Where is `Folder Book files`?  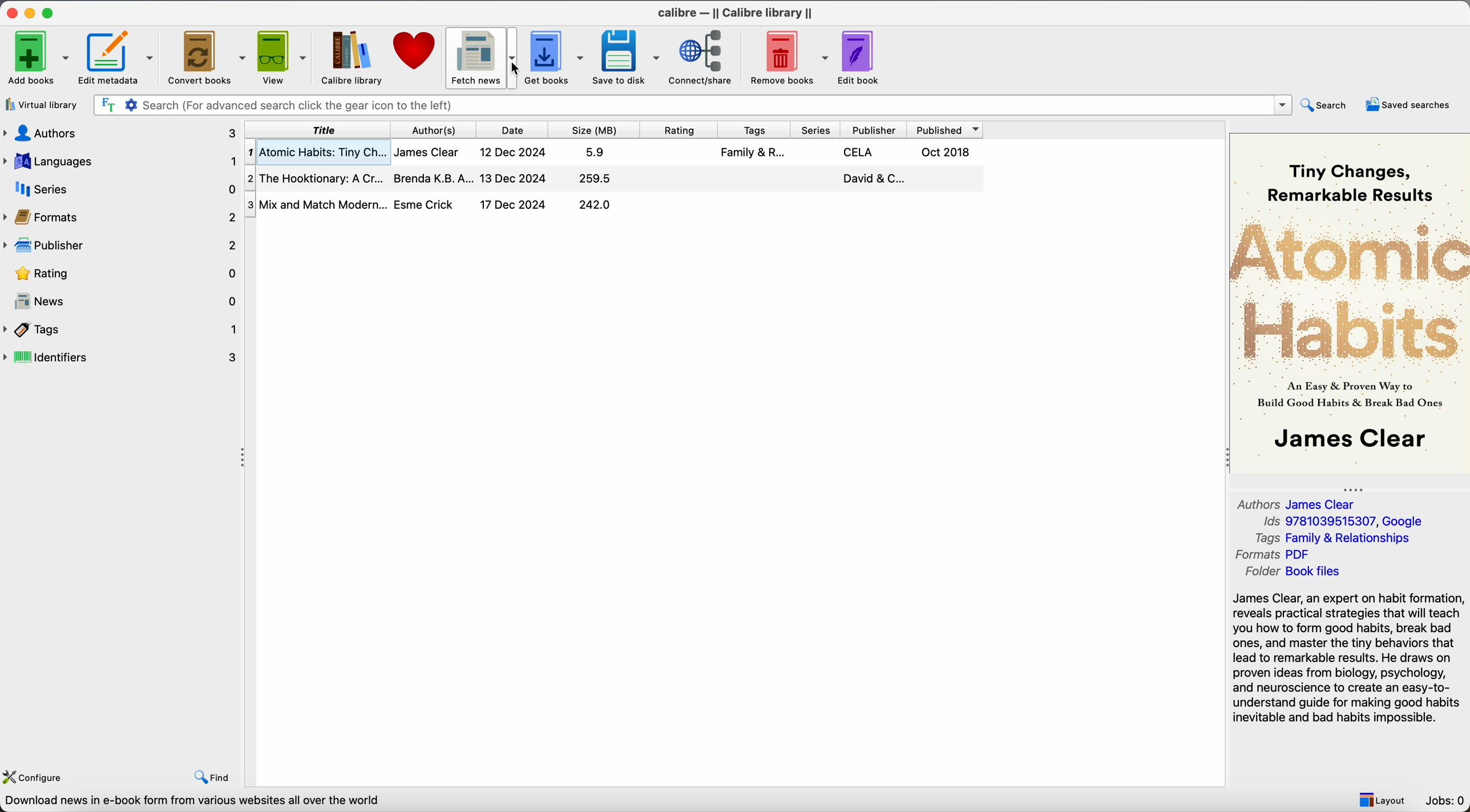
Folder Book files is located at coordinates (1293, 572).